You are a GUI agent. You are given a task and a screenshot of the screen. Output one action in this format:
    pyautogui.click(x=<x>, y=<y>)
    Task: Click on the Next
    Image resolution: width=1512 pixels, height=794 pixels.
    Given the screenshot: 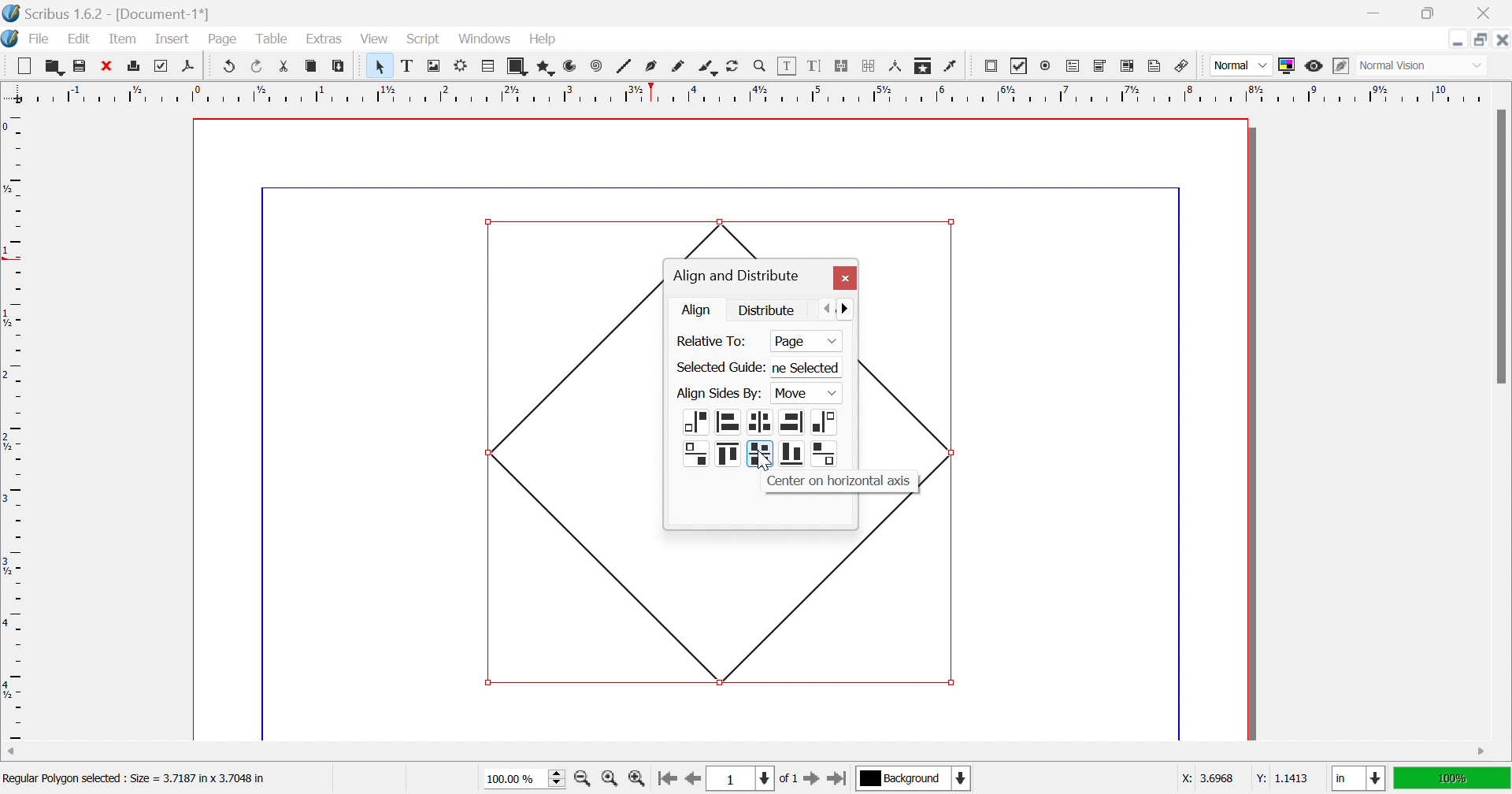 What is the action you would take?
    pyautogui.click(x=851, y=307)
    